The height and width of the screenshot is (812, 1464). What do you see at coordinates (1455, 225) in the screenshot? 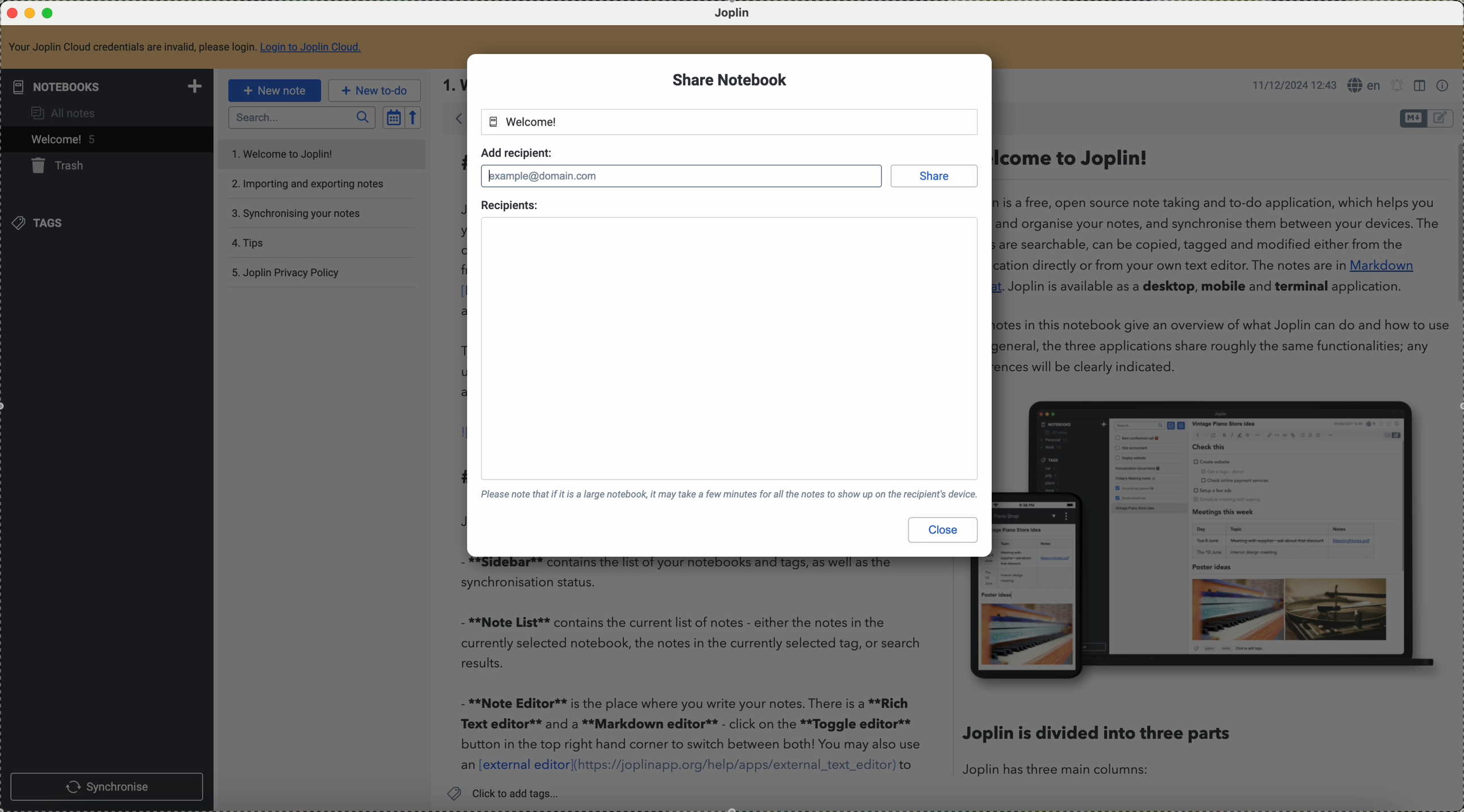
I see `scroll bar` at bounding box center [1455, 225].